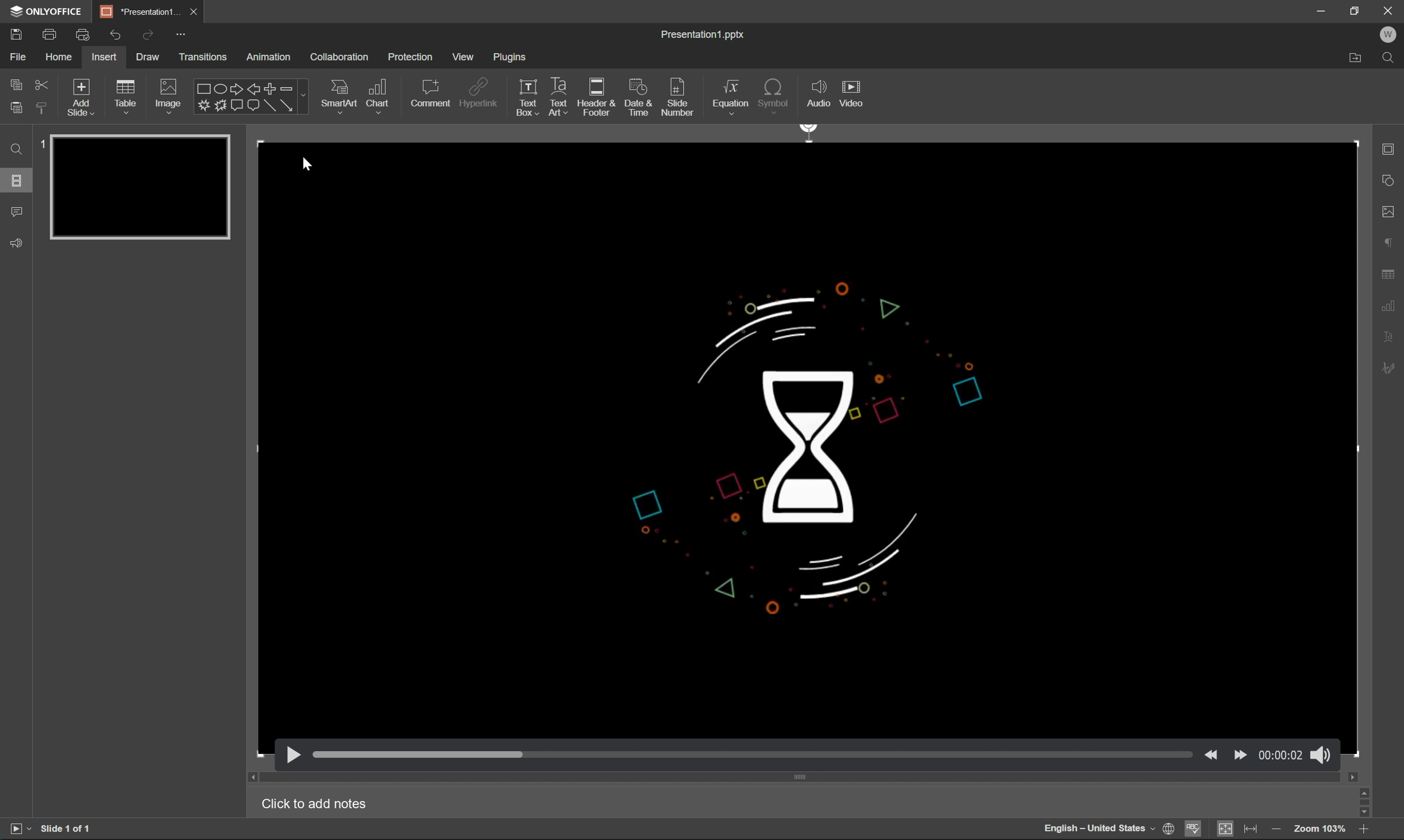  Describe the element at coordinates (250, 96) in the screenshot. I see `shapes` at that location.